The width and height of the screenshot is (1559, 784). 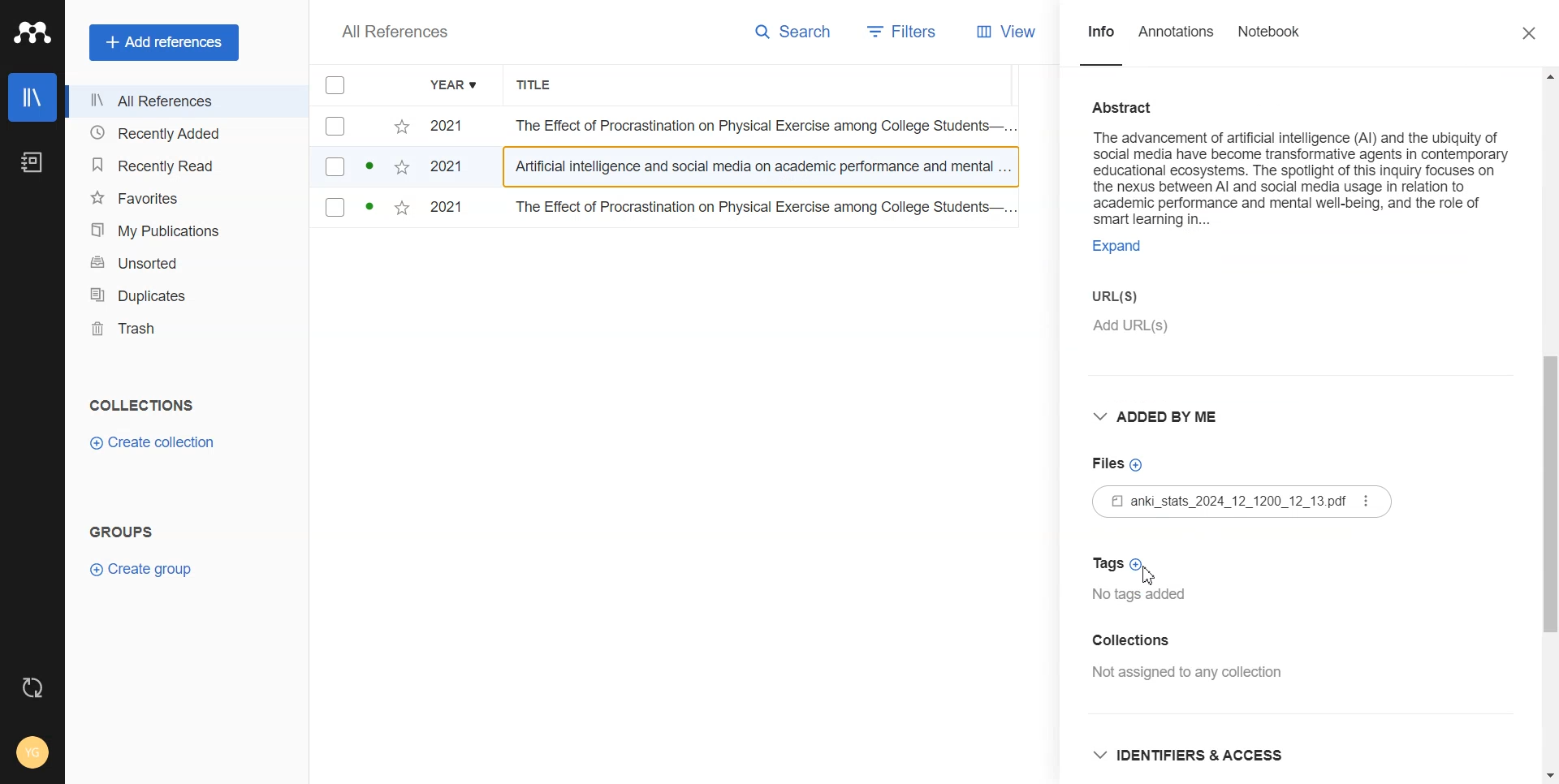 I want to click on Add references, so click(x=166, y=42).